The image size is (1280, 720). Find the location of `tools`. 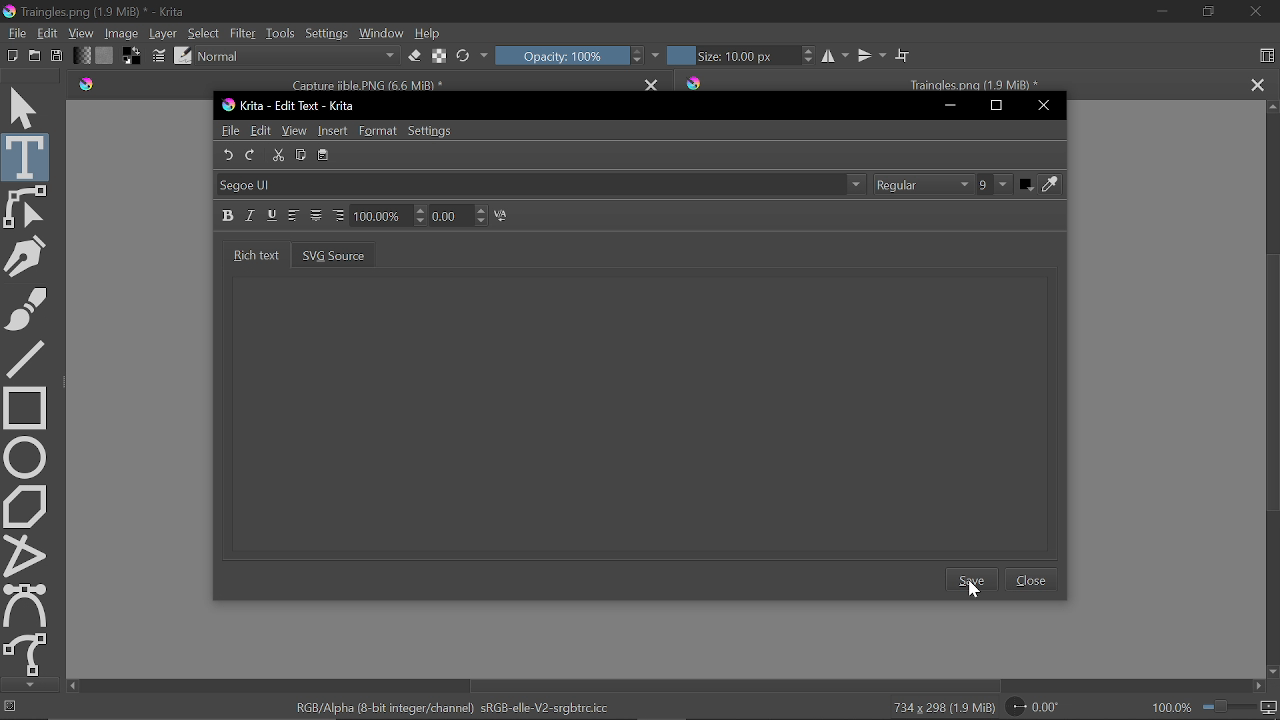

tools is located at coordinates (278, 33).